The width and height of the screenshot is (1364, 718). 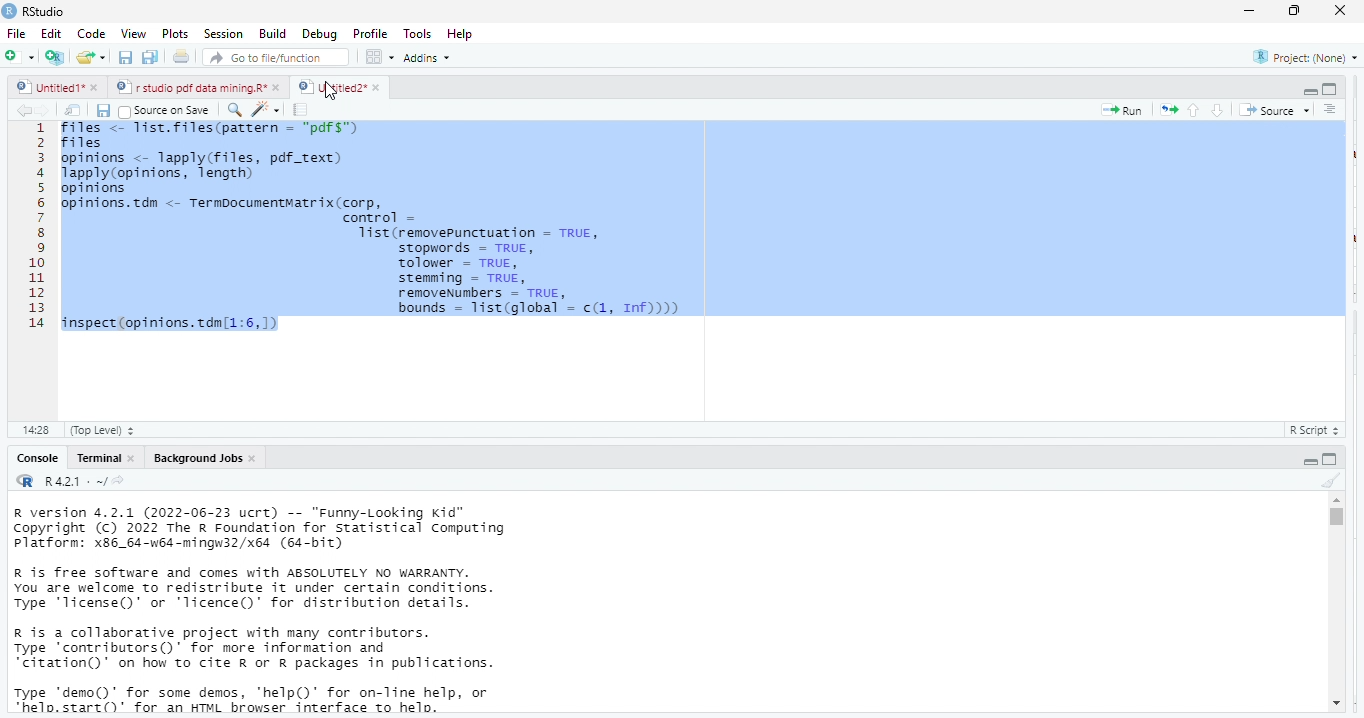 What do you see at coordinates (128, 34) in the screenshot?
I see `view` at bounding box center [128, 34].